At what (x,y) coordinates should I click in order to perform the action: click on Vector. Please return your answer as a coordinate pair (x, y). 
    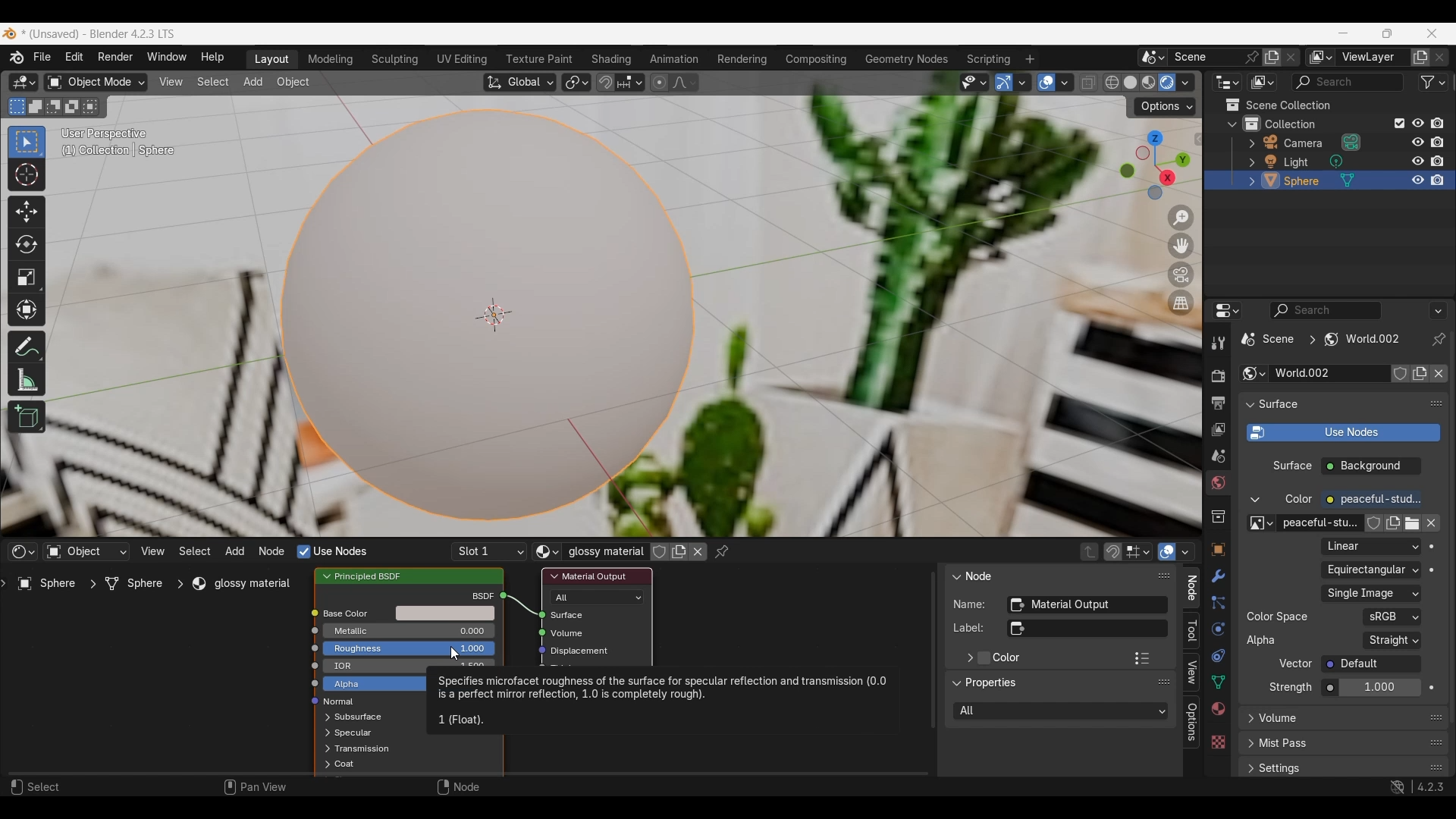
    Looking at the image, I should click on (1371, 664).